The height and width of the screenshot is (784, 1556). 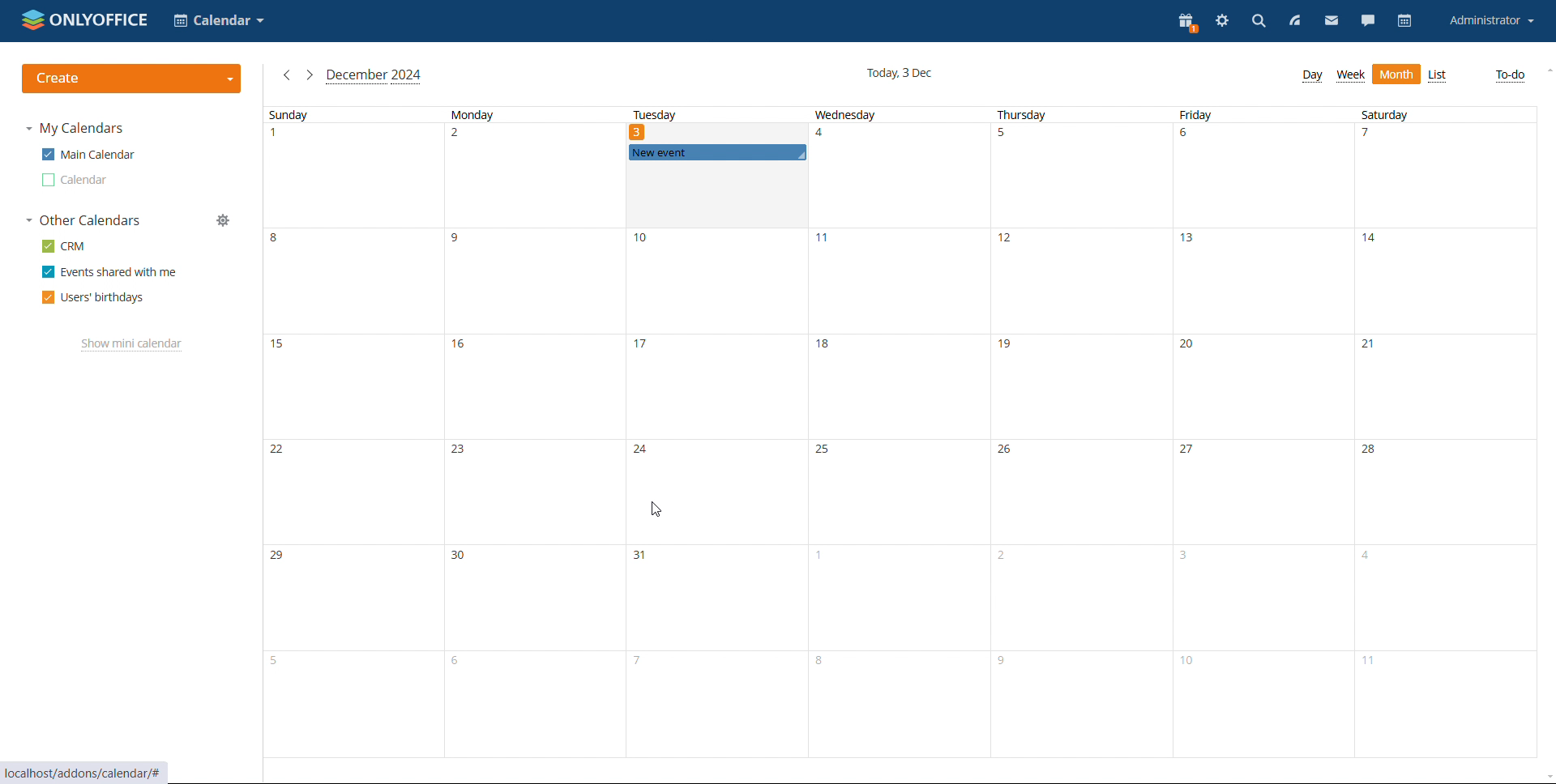 What do you see at coordinates (92, 298) in the screenshot?
I see `users' birthdays` at bounding box center [92, 298].